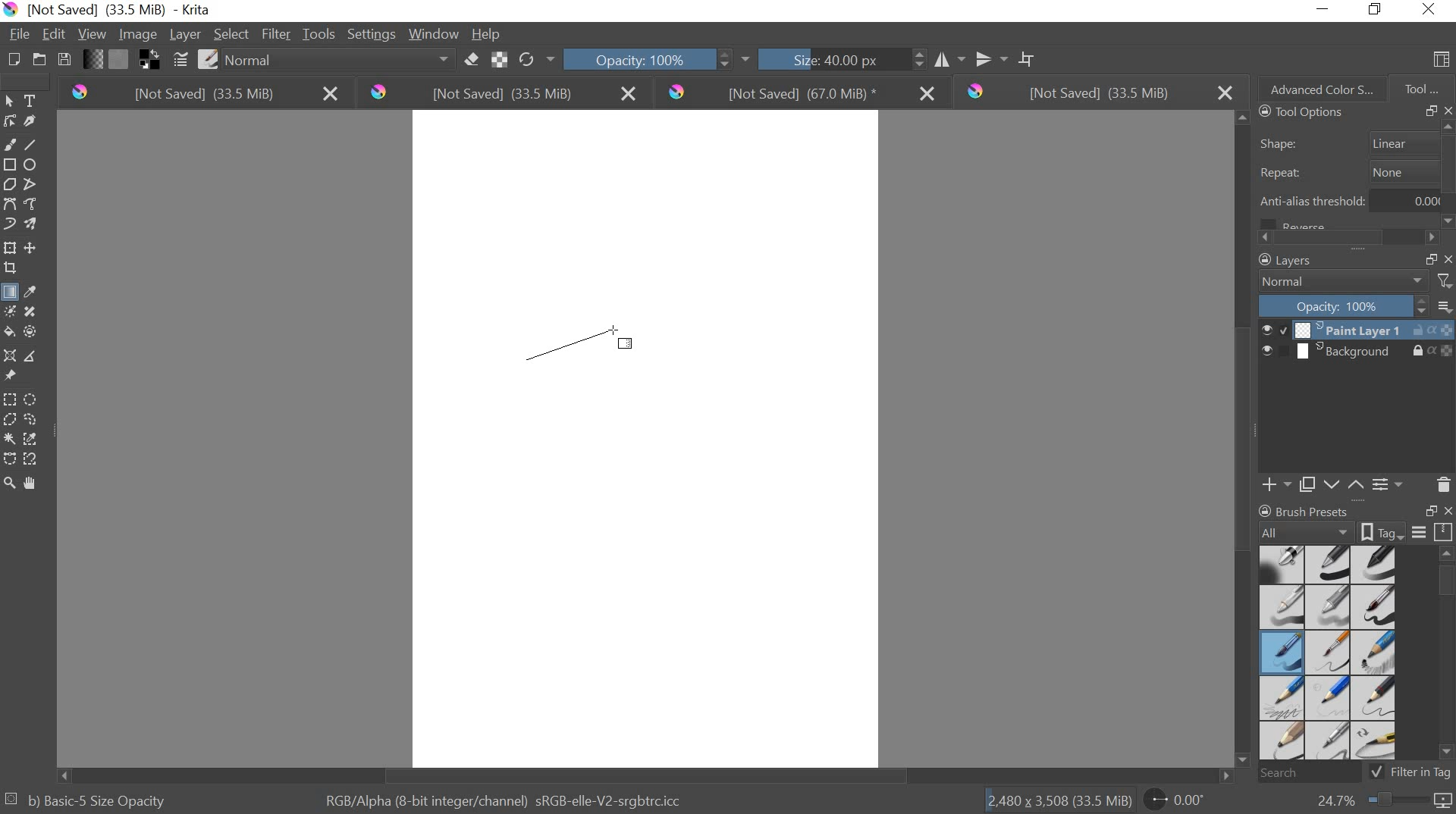 Image resolution: width=1456 pixels, height=814 pixels. I want to click on NORMAL, so click(1344, 282).